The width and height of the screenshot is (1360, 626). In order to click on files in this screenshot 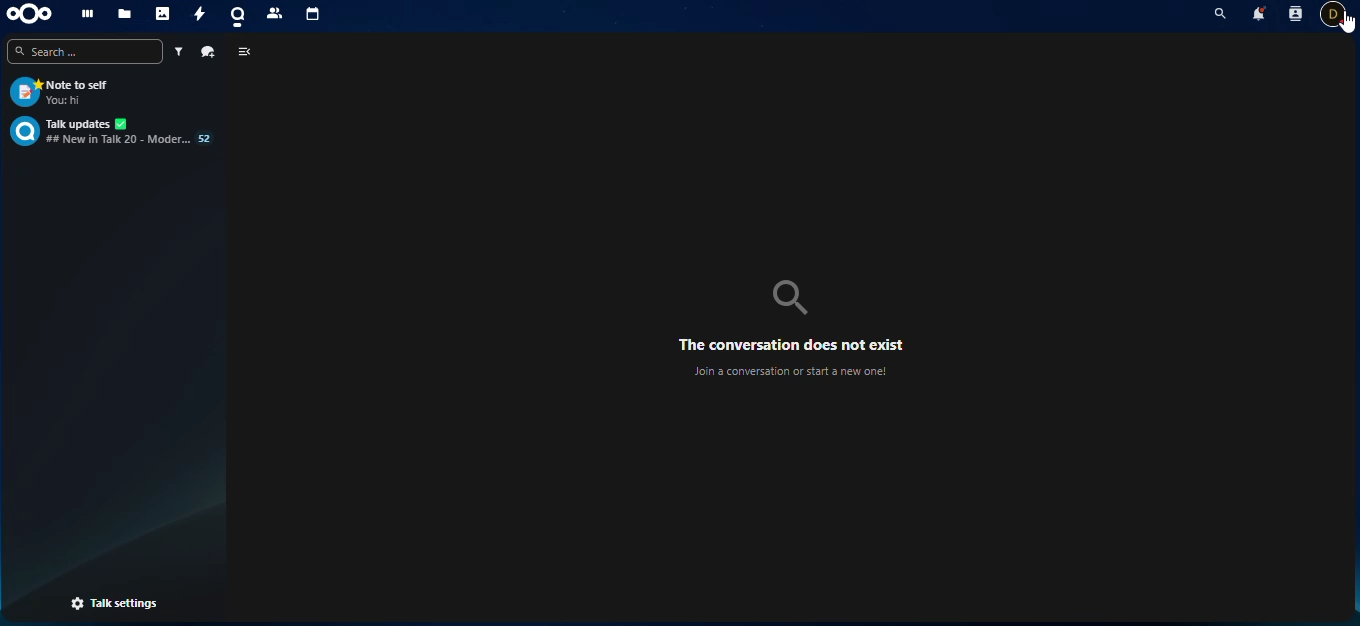, I will do `click(123, 13)`.